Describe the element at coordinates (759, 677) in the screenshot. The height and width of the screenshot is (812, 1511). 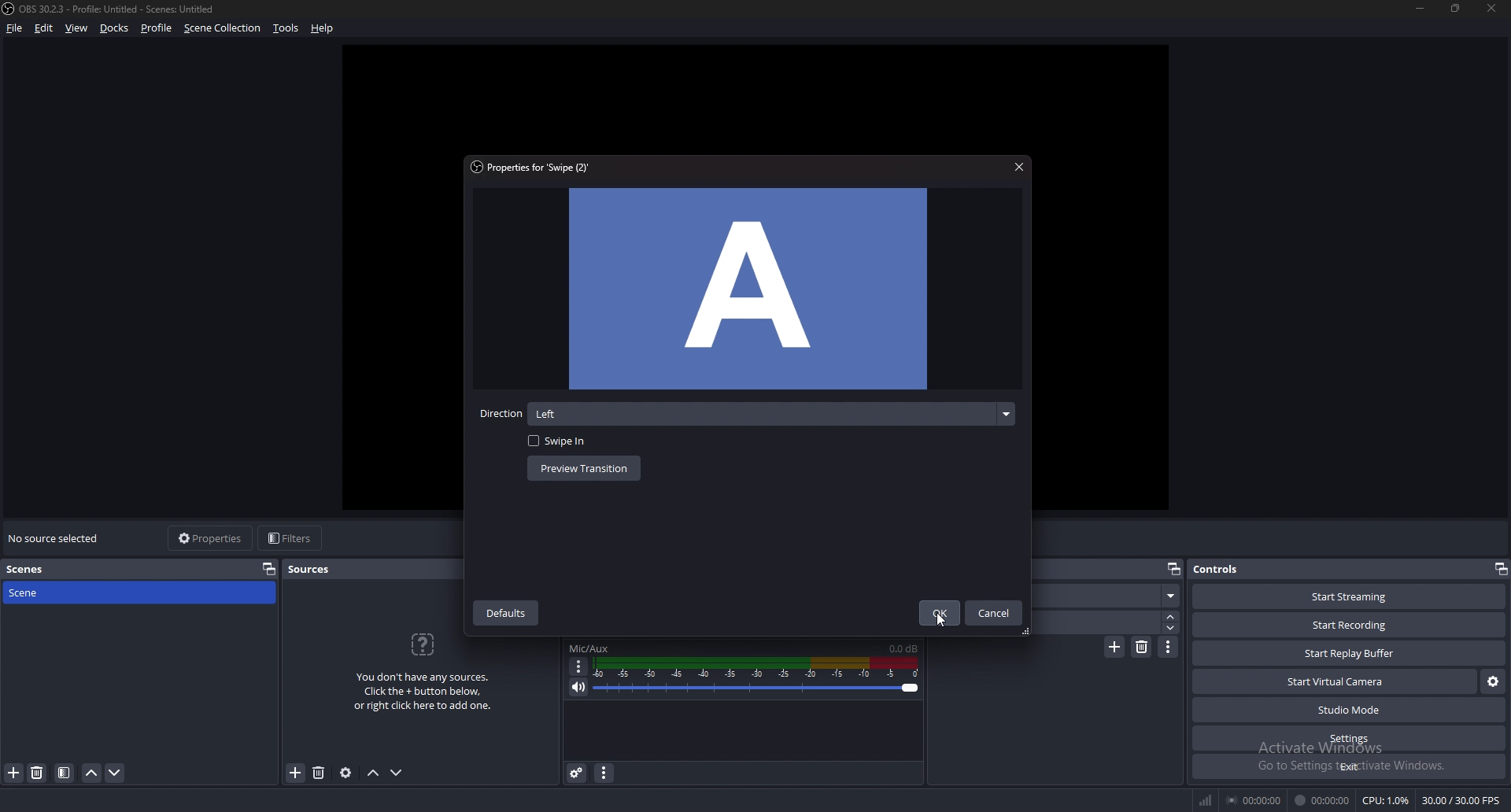
I see `volume adjust` at that location.